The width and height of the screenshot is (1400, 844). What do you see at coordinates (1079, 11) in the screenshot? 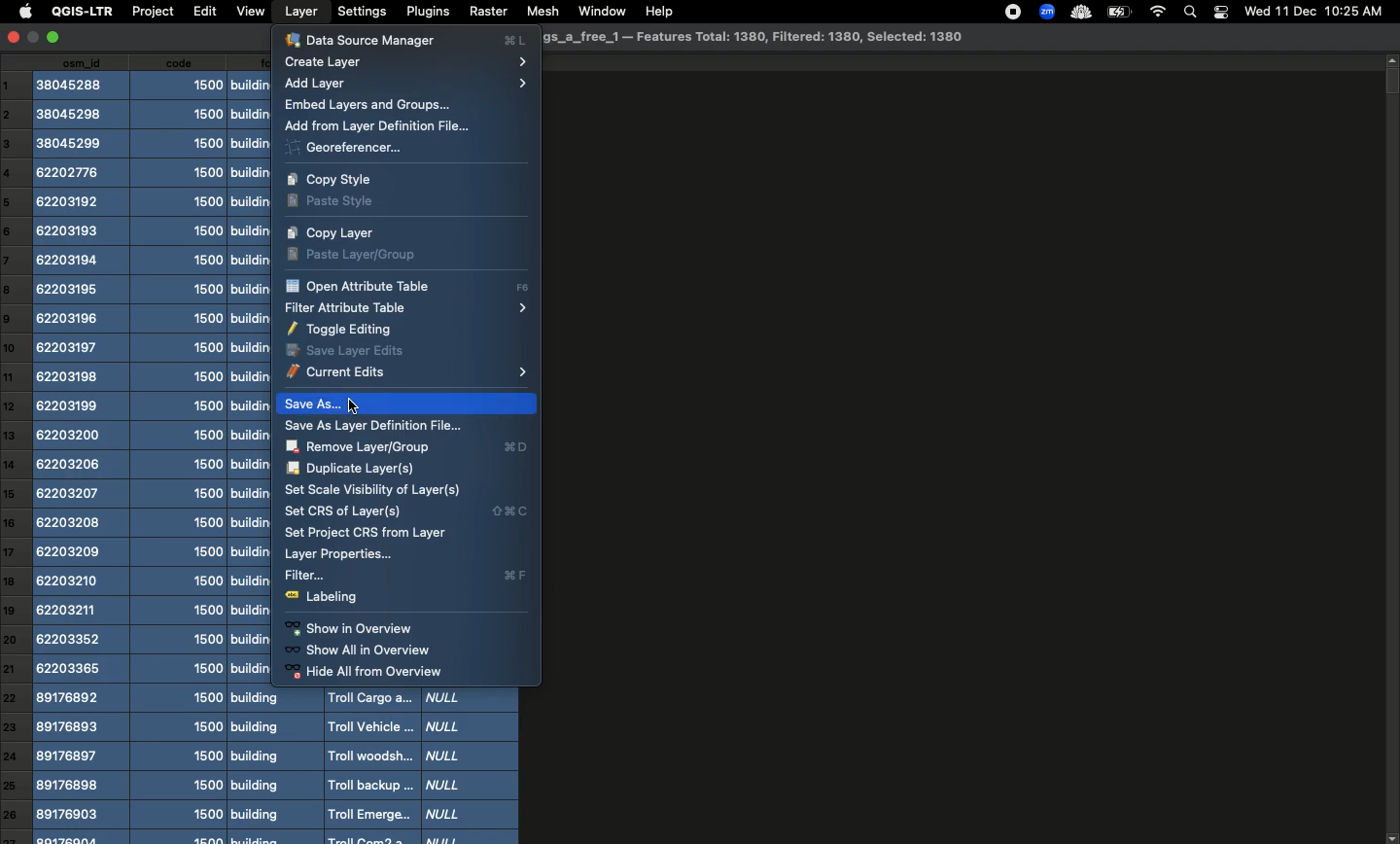
I see `cloud` at bounding box center [1079, 11].